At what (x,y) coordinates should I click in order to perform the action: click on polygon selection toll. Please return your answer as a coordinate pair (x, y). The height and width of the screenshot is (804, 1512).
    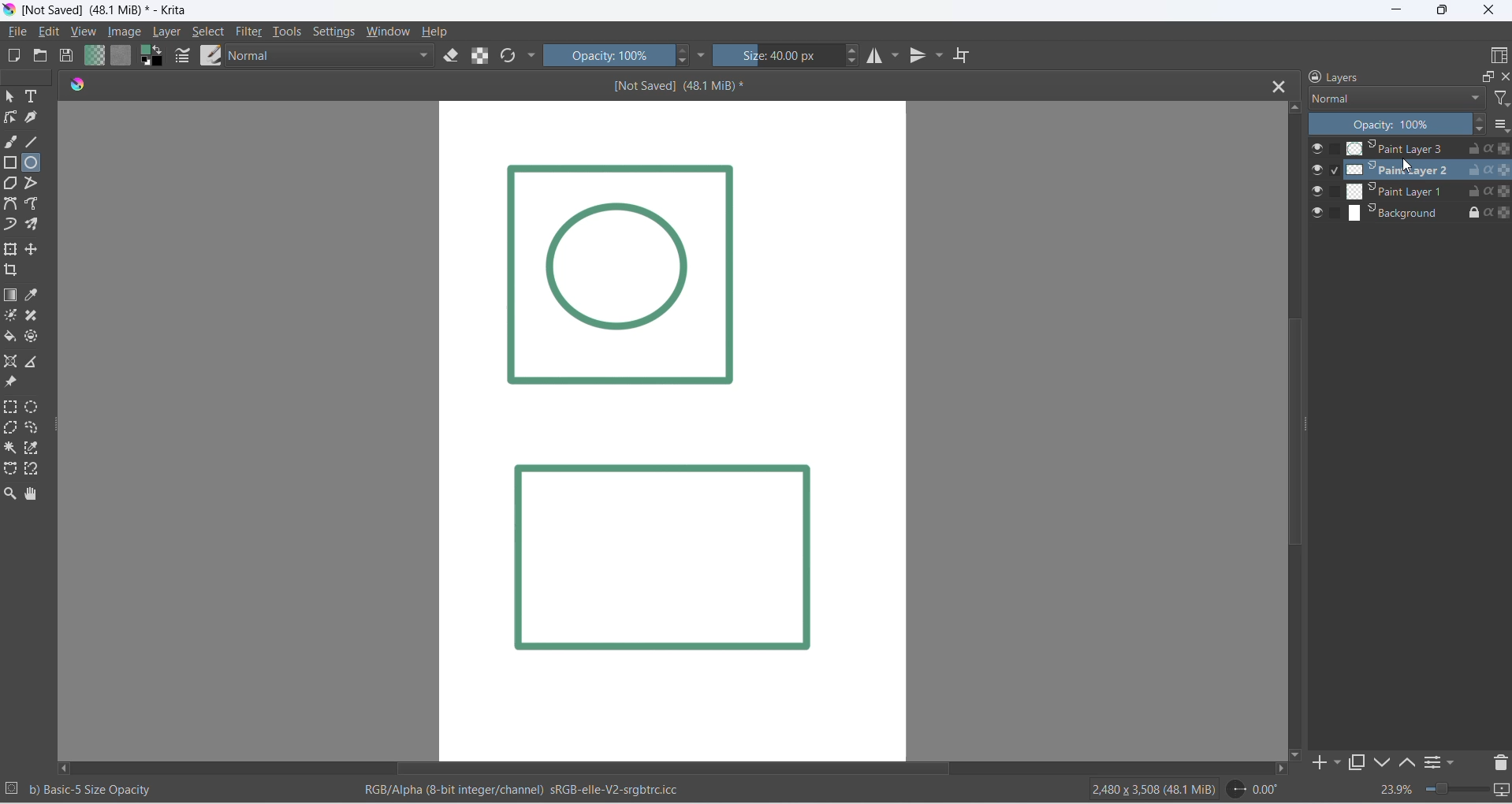
    Looking at the image, I should click on (11, 429).